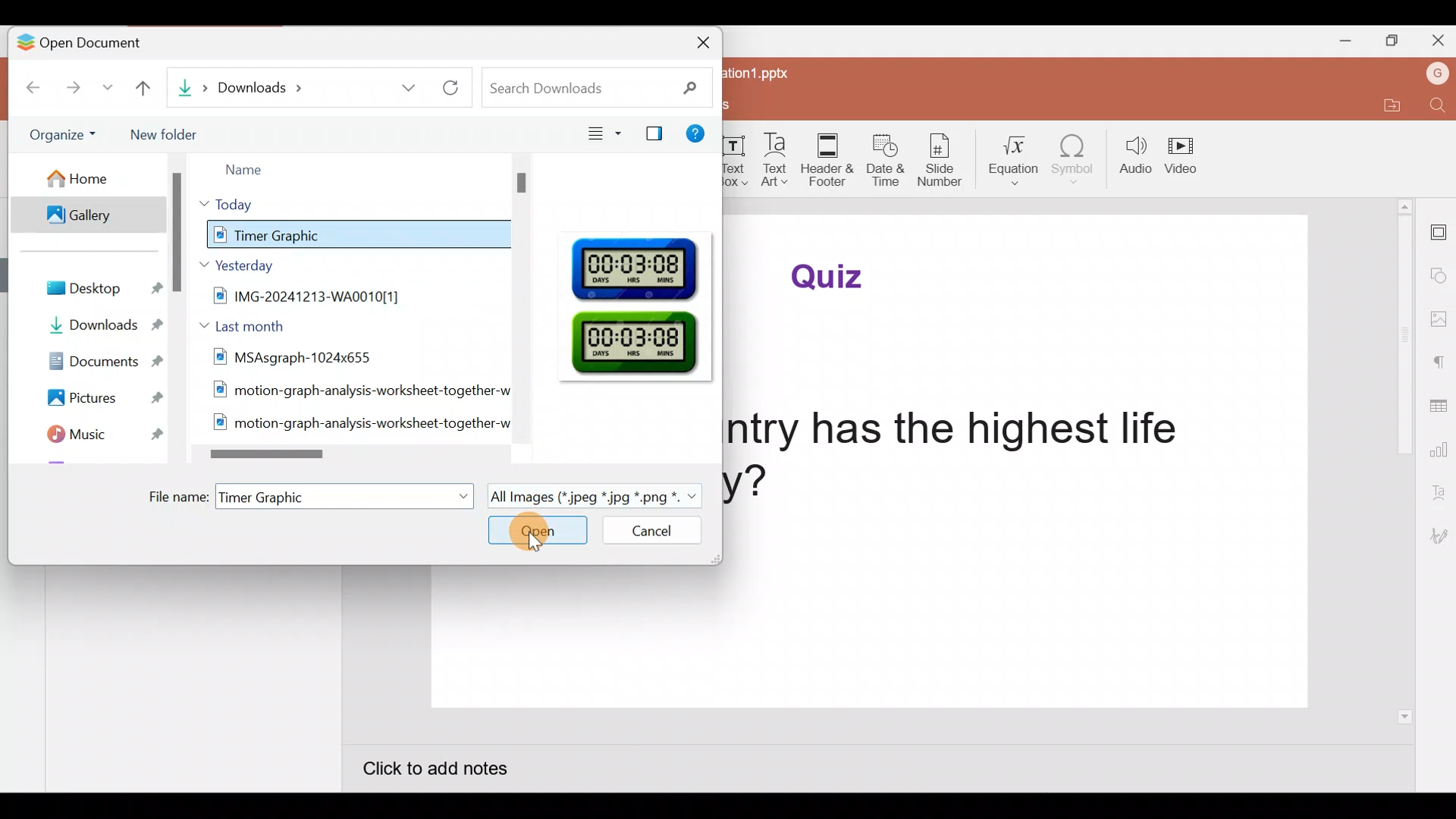 This screenshot has width=1456, height=819. Describe the element at coordinates (1407, 461) in the screenshot. I see `Scroll bar` at that location.